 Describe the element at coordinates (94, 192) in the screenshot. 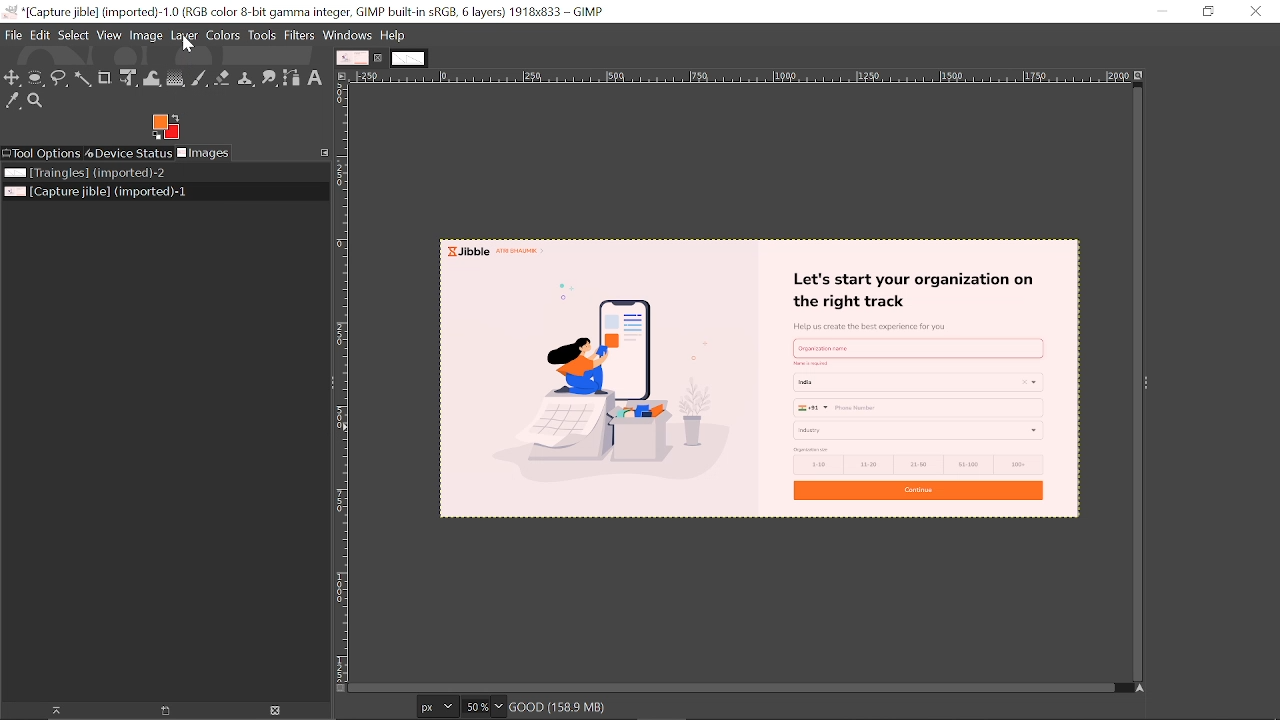

I see `Current image file` at that location.